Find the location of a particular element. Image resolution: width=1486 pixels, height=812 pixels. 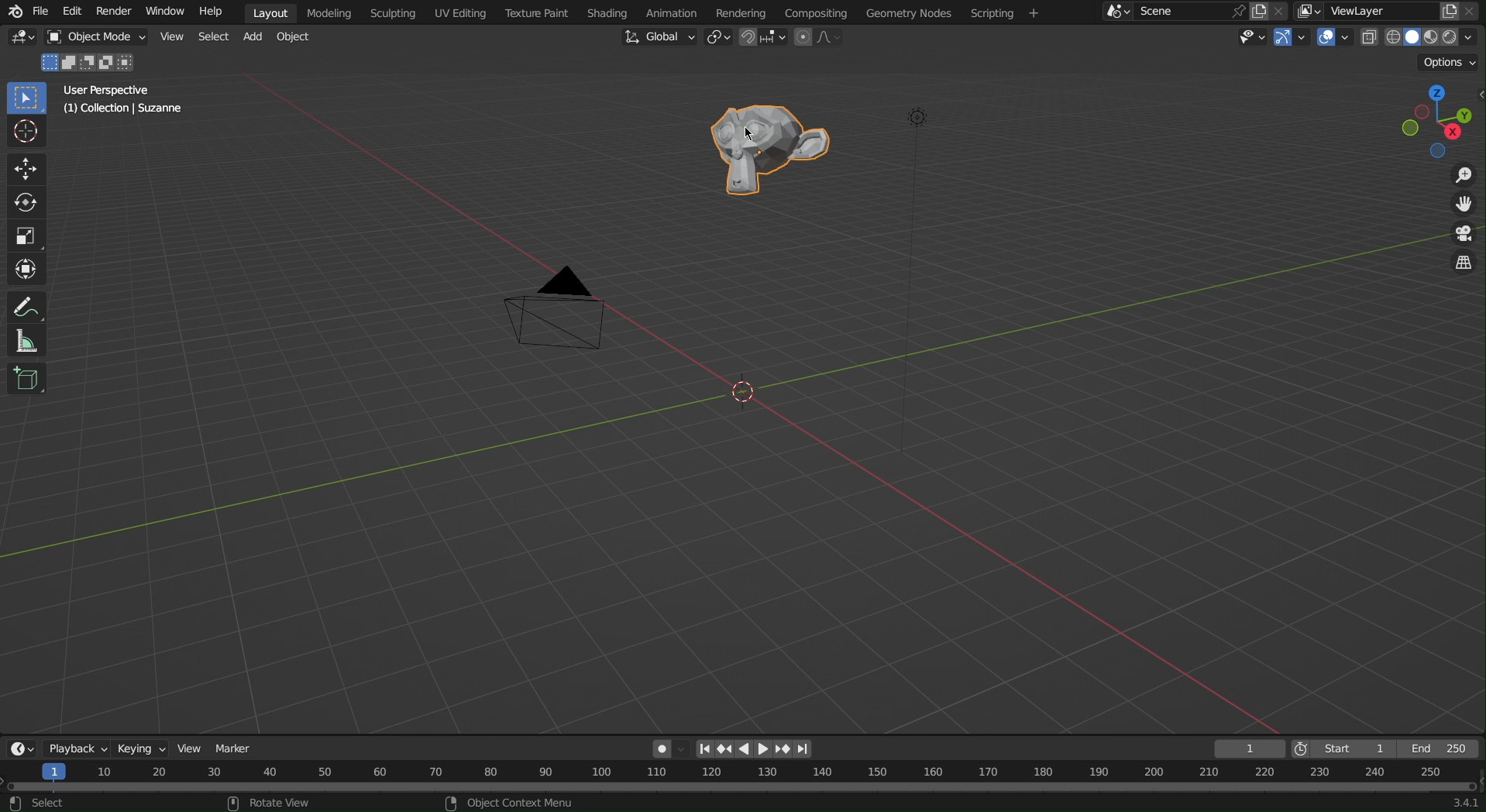

Snap during transform is located at coordinates (765, 38).